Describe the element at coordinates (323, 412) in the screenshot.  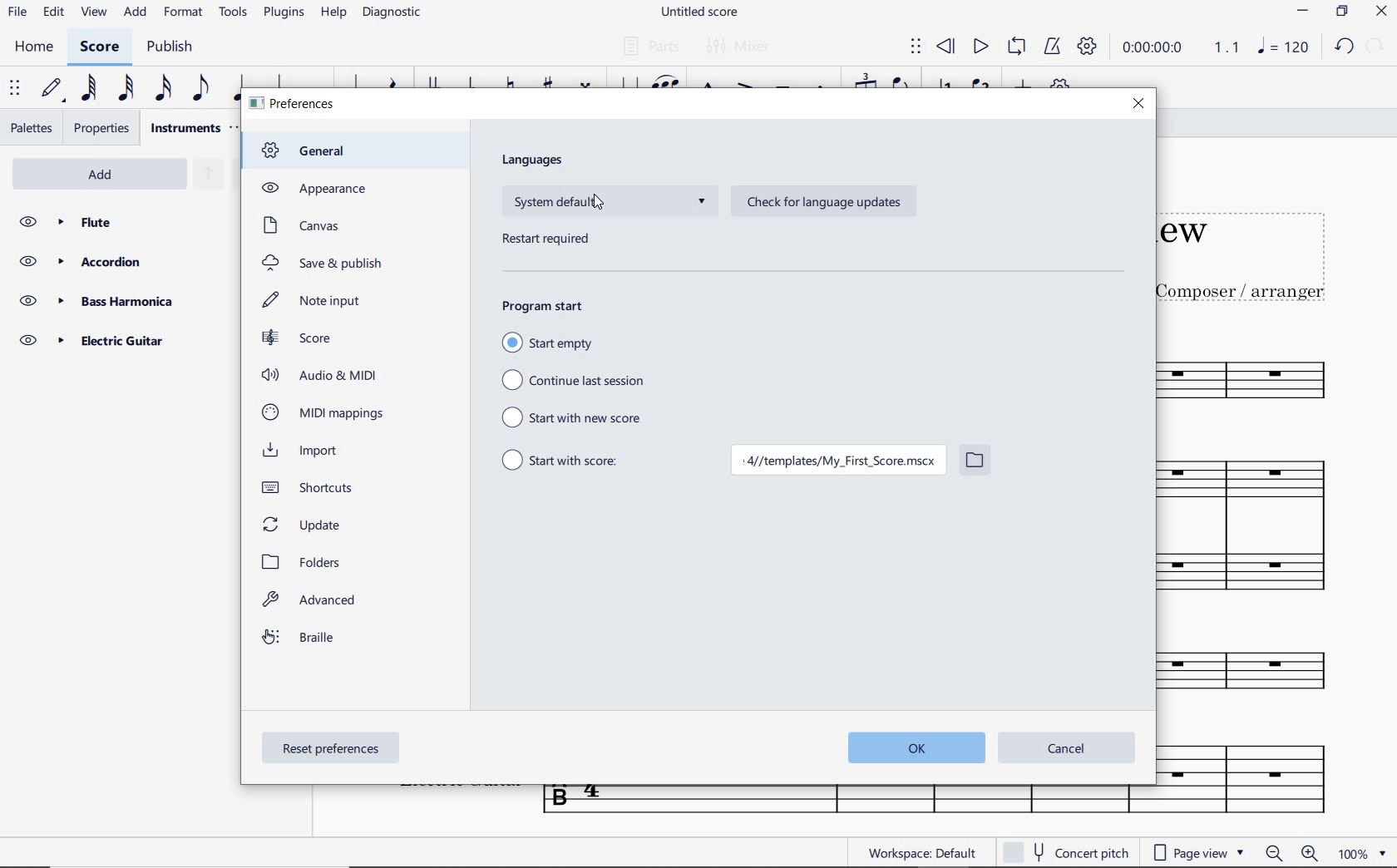
I see `MIDI mappings` at that location.